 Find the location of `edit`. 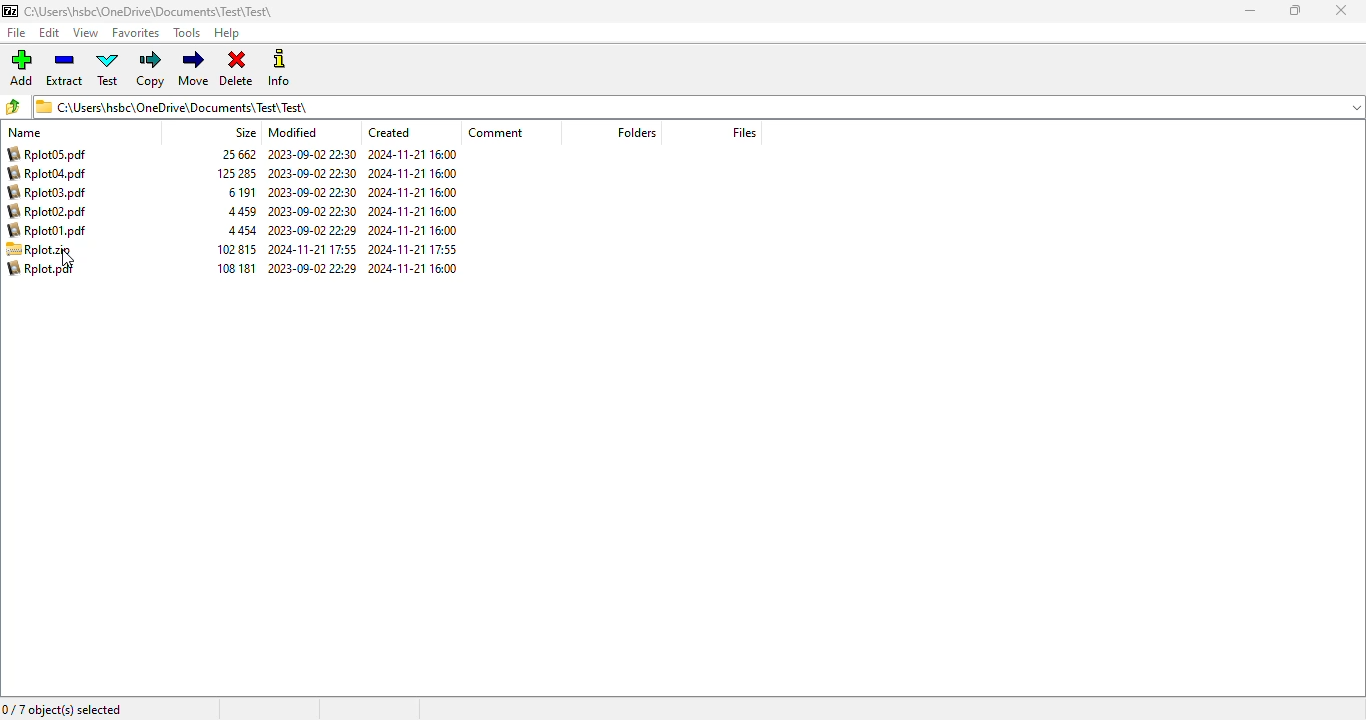

edit is located at coordinates (50, 33).